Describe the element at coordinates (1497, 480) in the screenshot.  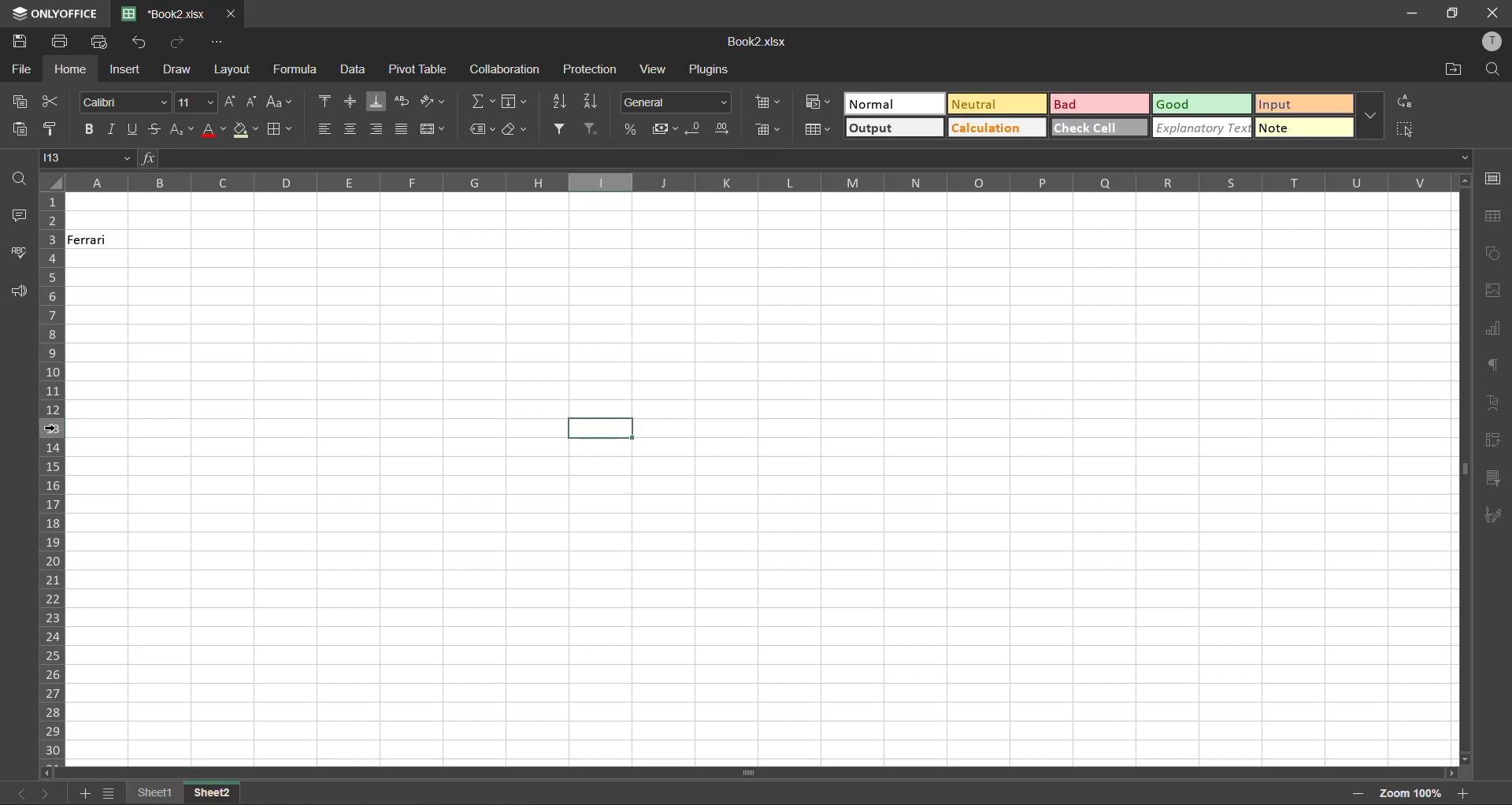
I see `slicer` at that location.